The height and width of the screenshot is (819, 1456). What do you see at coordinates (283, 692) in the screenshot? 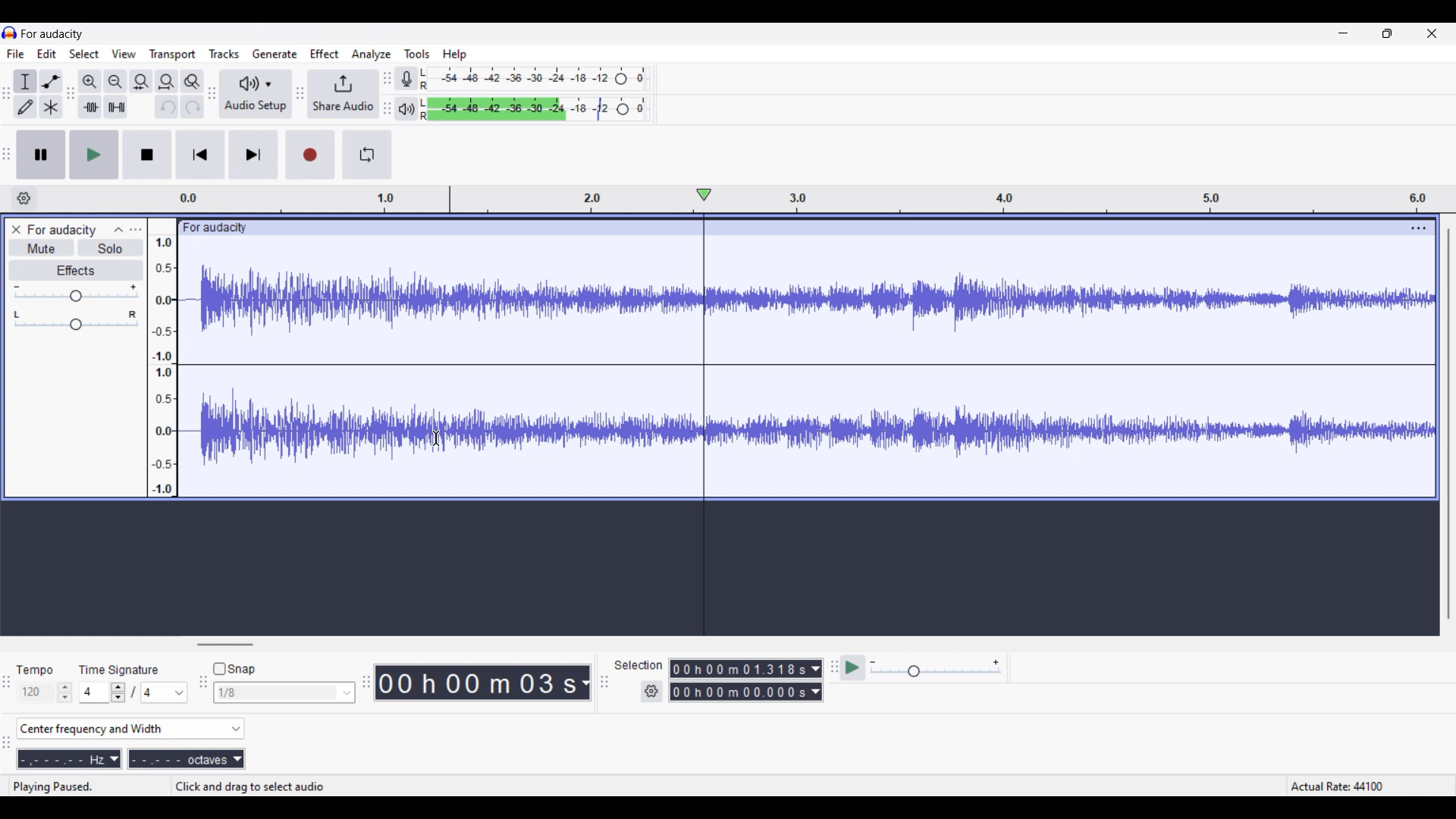
I see `Snap options` at bounding box center [283, 692].